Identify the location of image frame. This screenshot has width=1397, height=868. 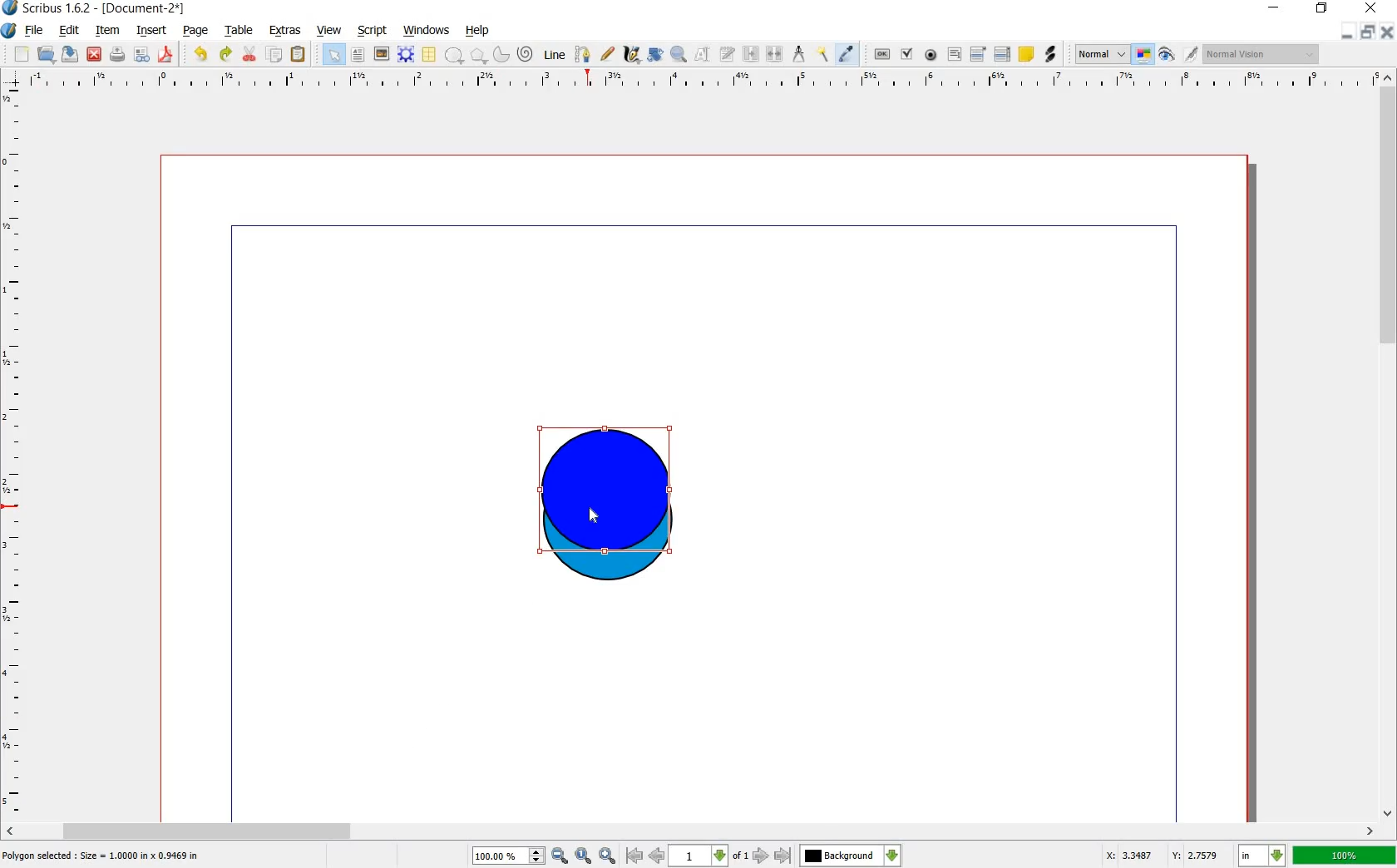
(381, 54).